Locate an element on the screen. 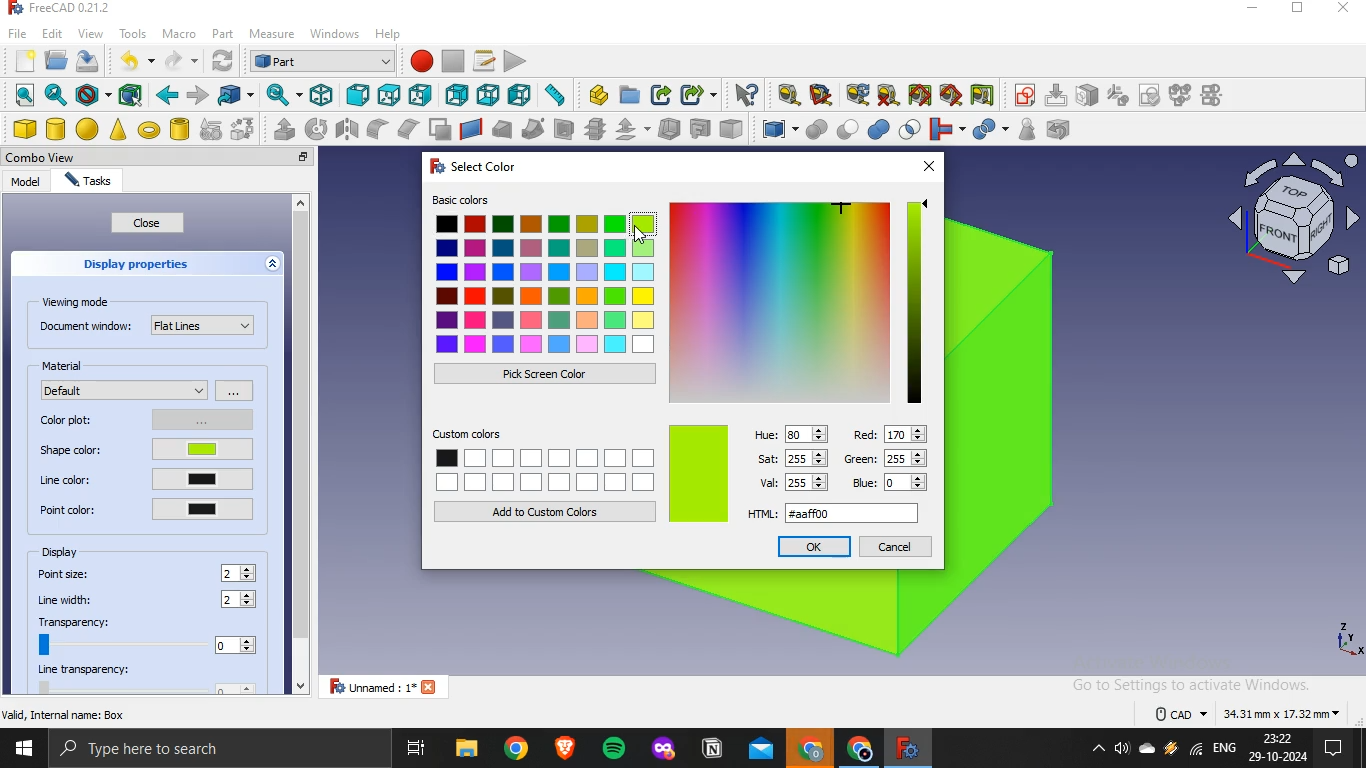 The image size is (1366, 768). google chrome is located at coordinates (516, 749).